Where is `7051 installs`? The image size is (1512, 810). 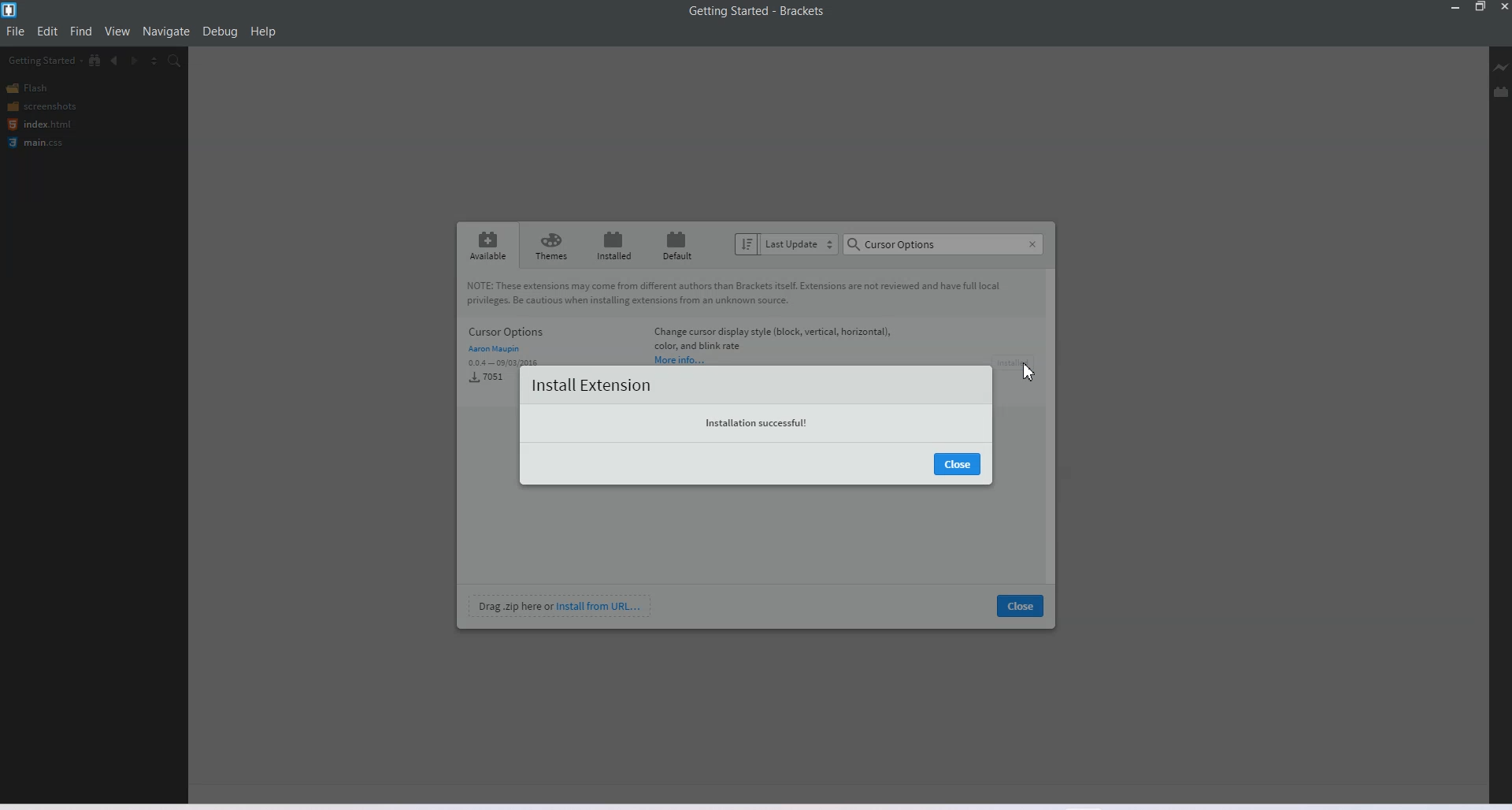
7051 installs is located at coordinates (487, 380).